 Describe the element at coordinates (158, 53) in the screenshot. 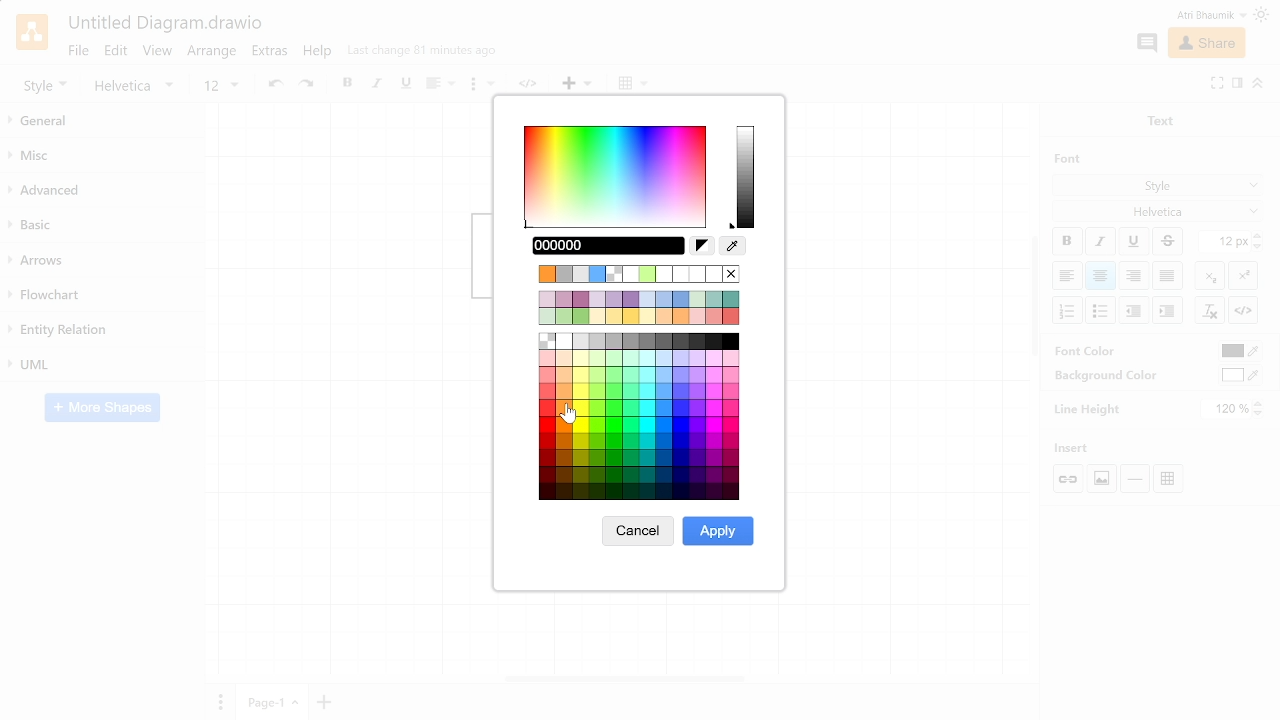

I see `View` at that location.